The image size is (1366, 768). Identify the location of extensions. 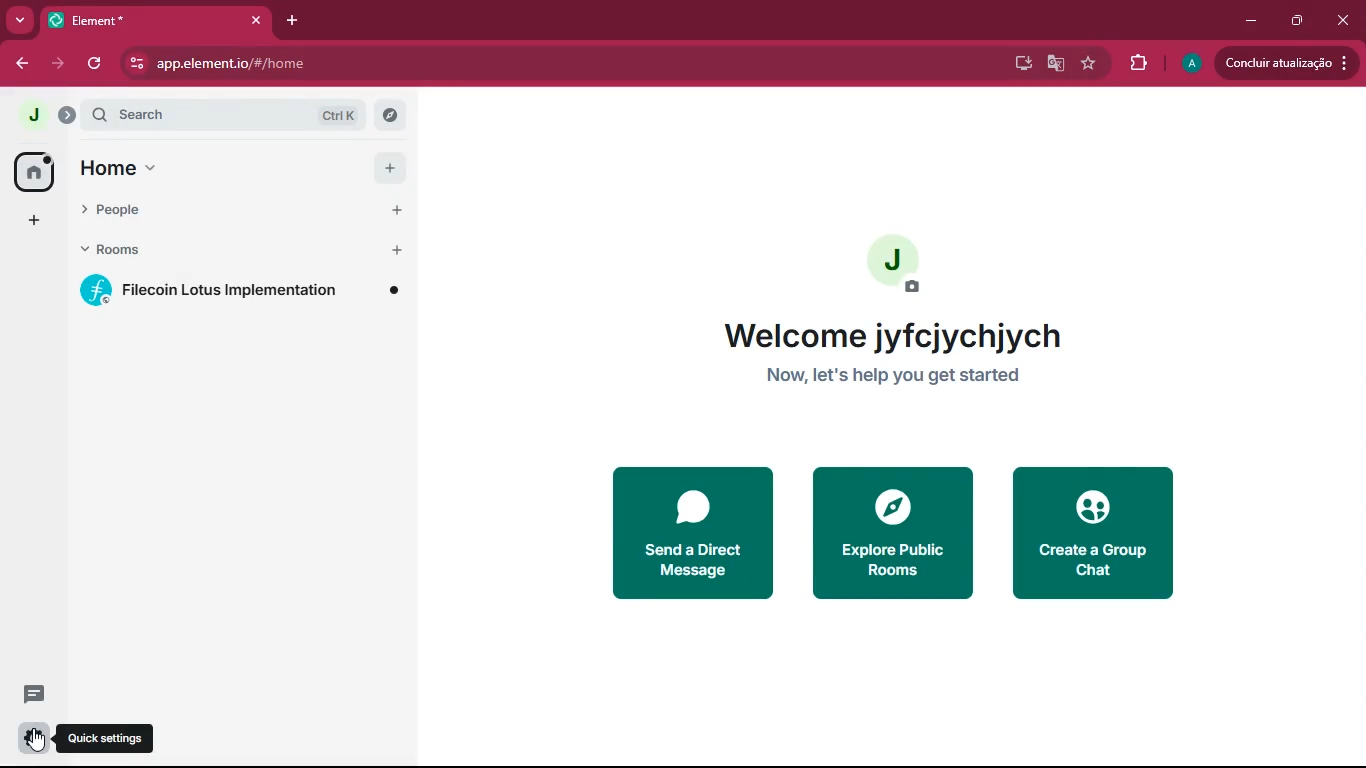
(1135, 64).